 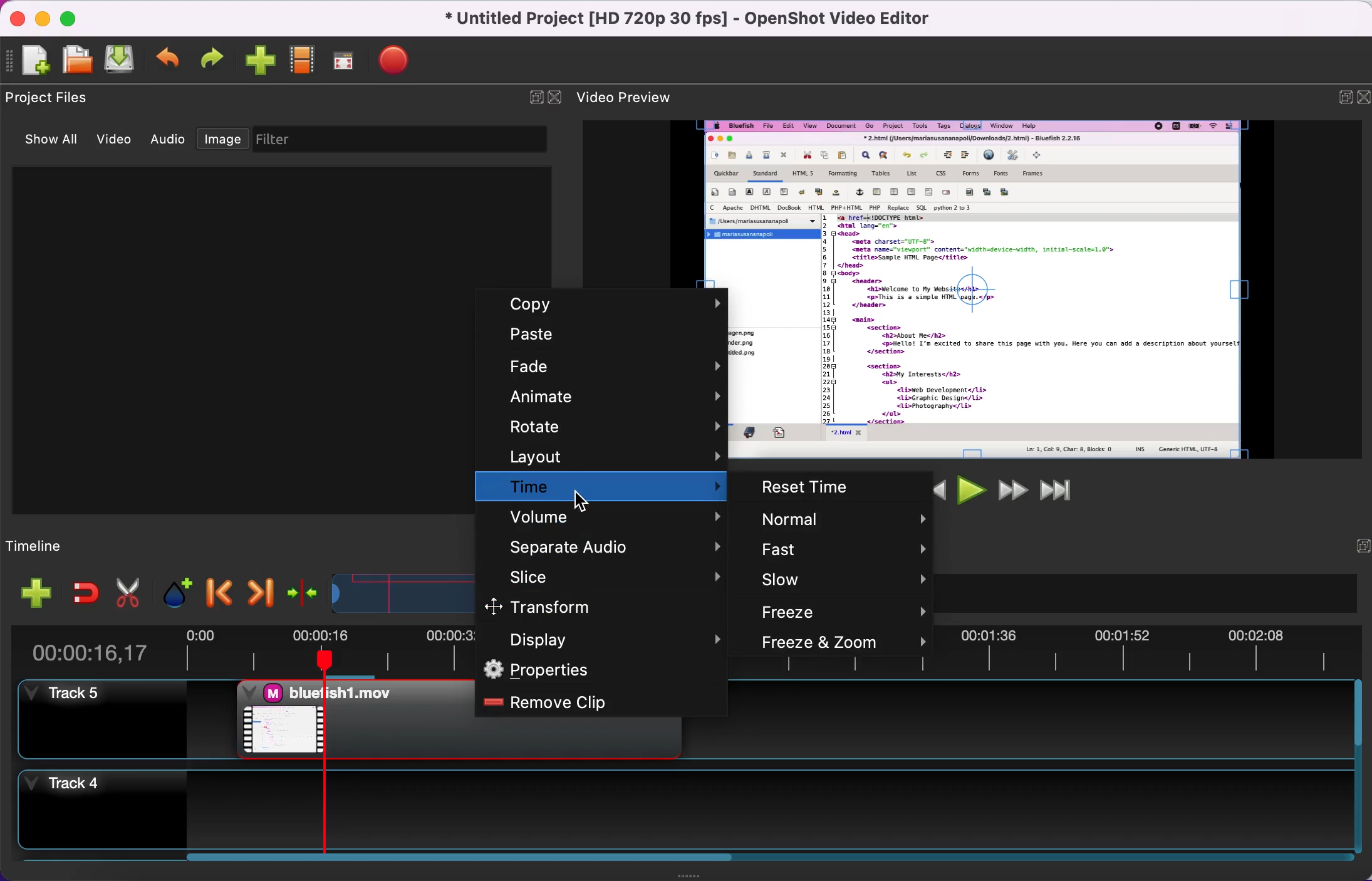 What do you see at coordinates (119, 141) in the screenshot?
I see `video` at bounding box center [119, 141].